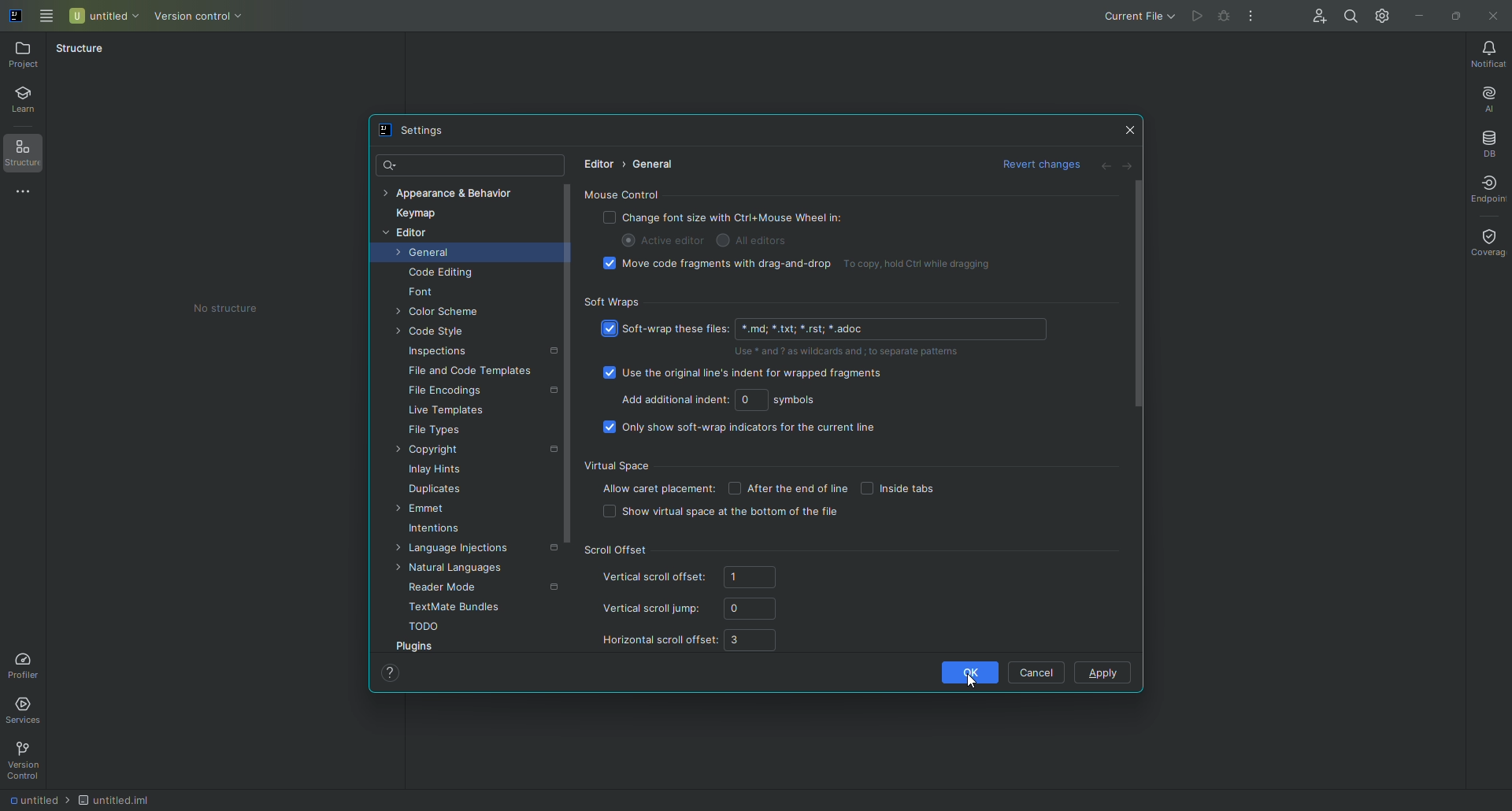  I want to click on Tick, so click(609, 328).